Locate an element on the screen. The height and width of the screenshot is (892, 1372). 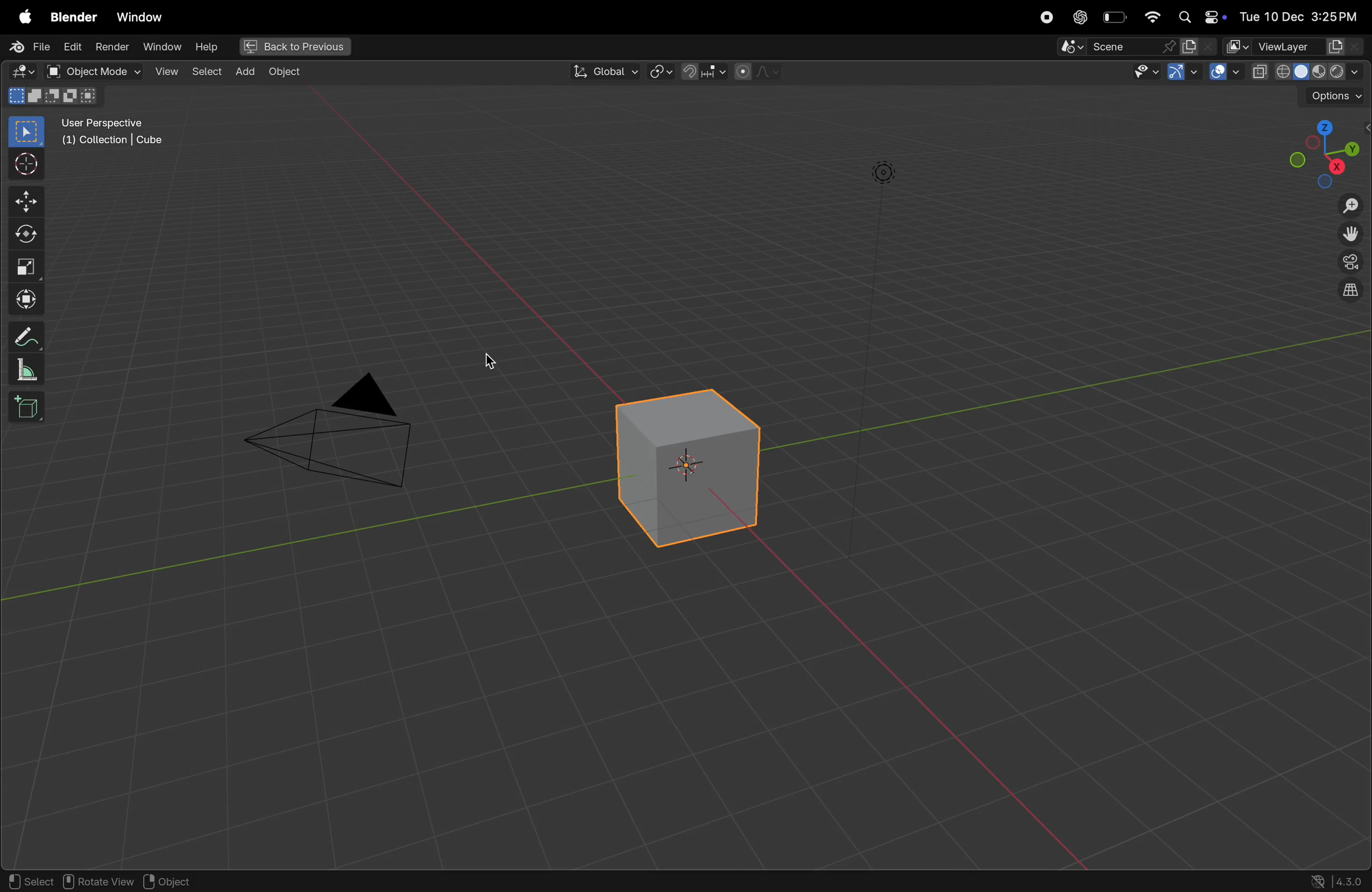
show overlays is located at coordinates (1225, 73).